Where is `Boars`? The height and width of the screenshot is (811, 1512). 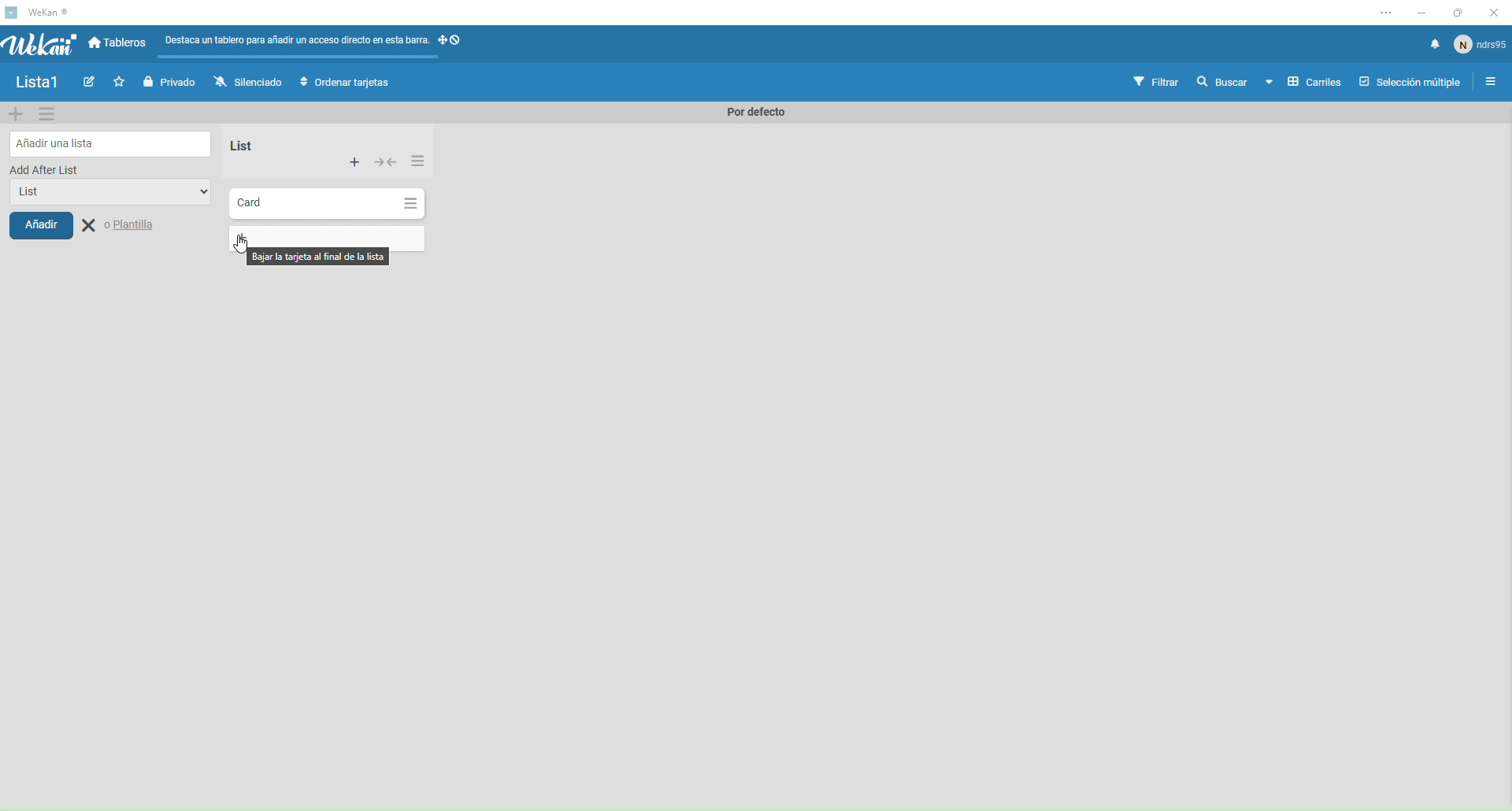 Boars is located at coordinates (119, 44).